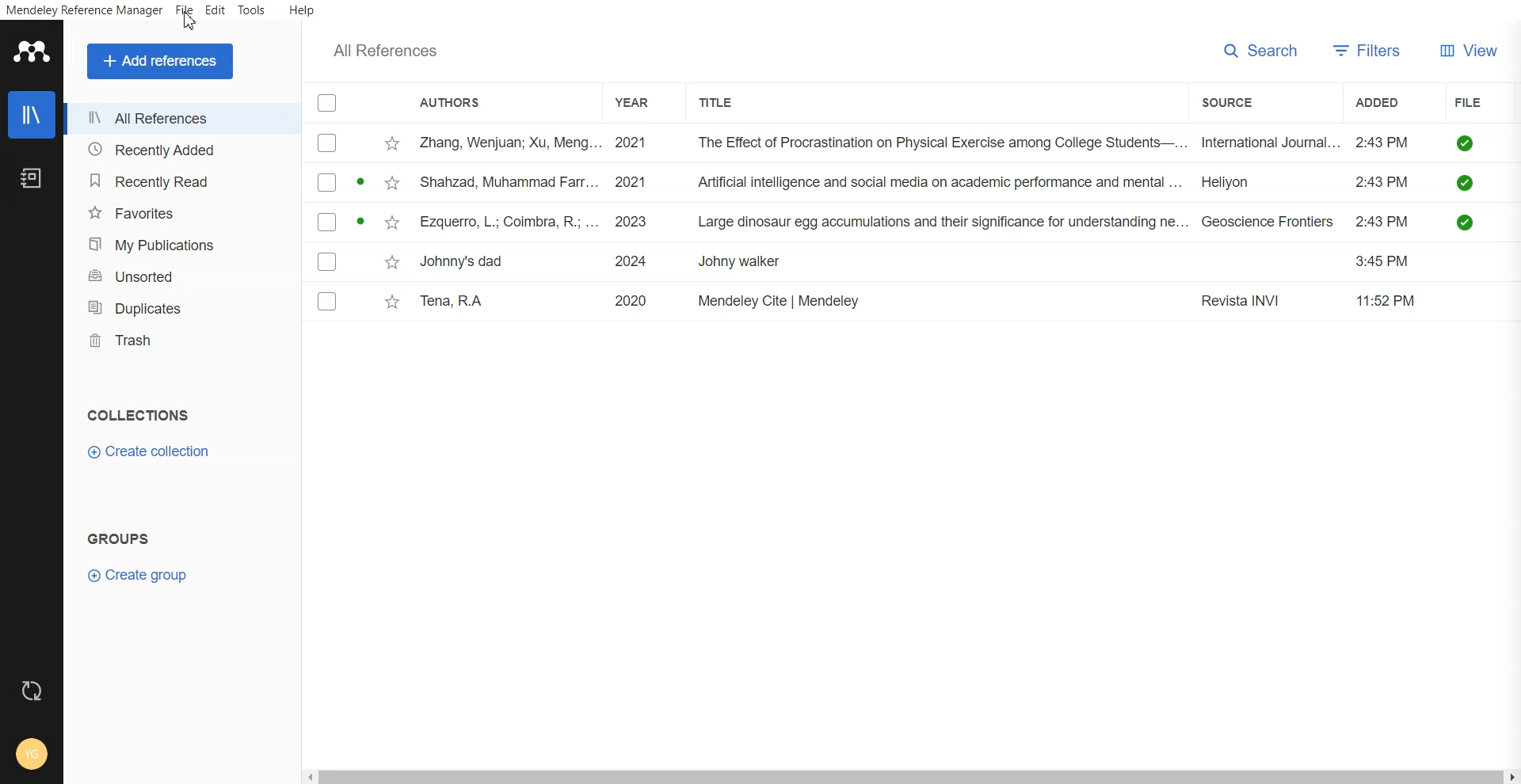 The image size is (1521, 784). What do you see at coordinates (178, 306) in the screenshot?
I see `Duplicates` at bounding box center [178, 306].